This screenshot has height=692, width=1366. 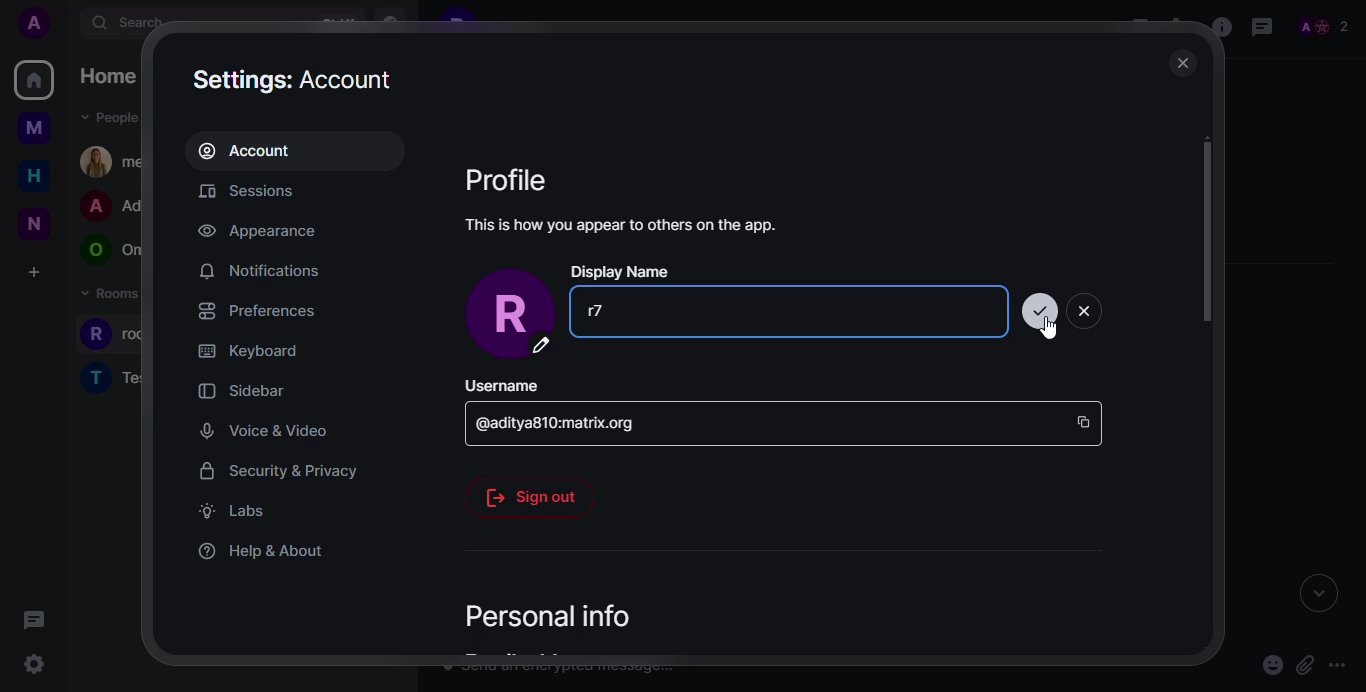 What do you see at coordinates (32, 176) in the screenshot?
I see `home` at bounding box center [32, 176].